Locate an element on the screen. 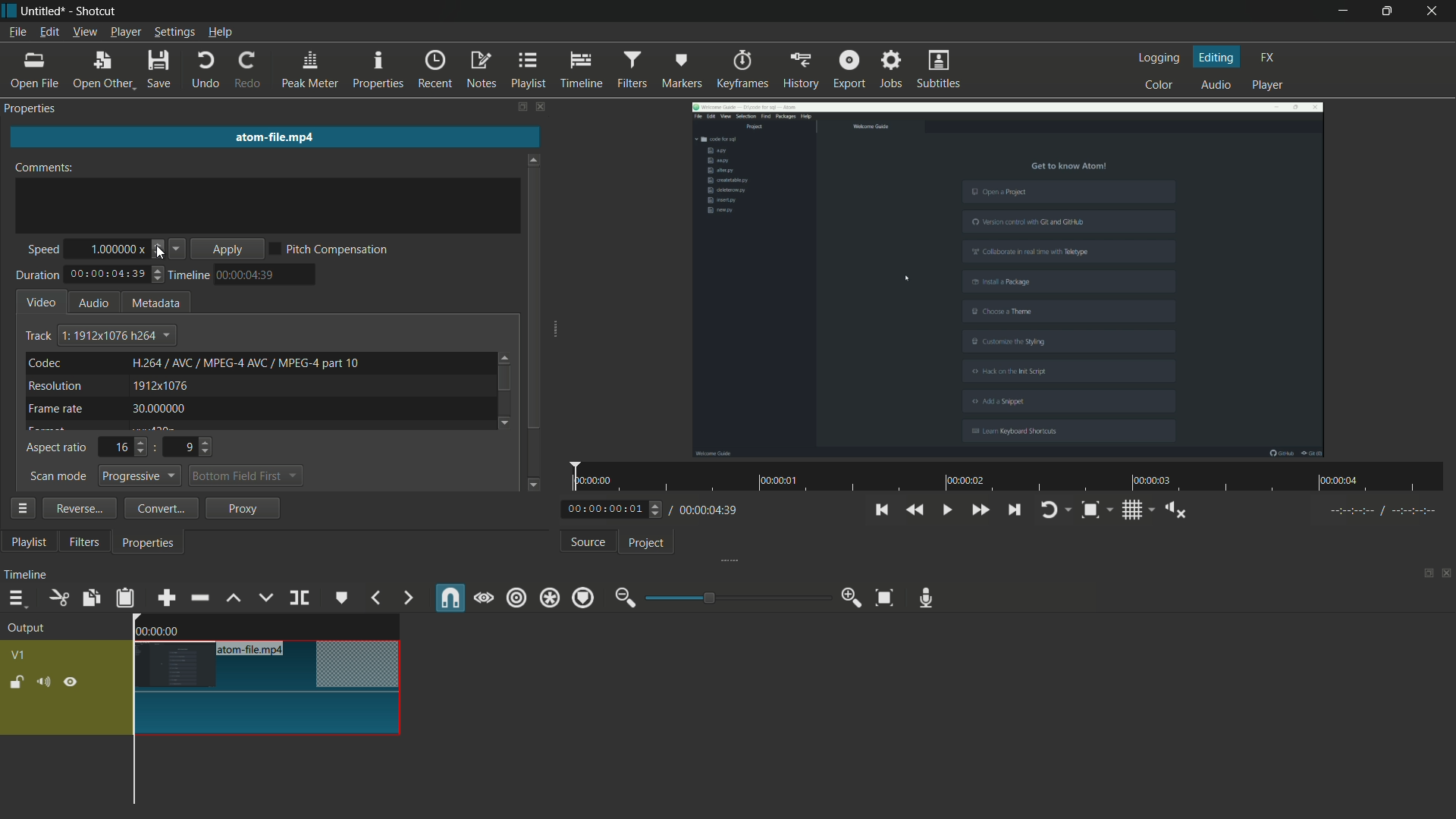 This screenshot has height=819, width=1456. player menu is located at coordinates (126, 33).